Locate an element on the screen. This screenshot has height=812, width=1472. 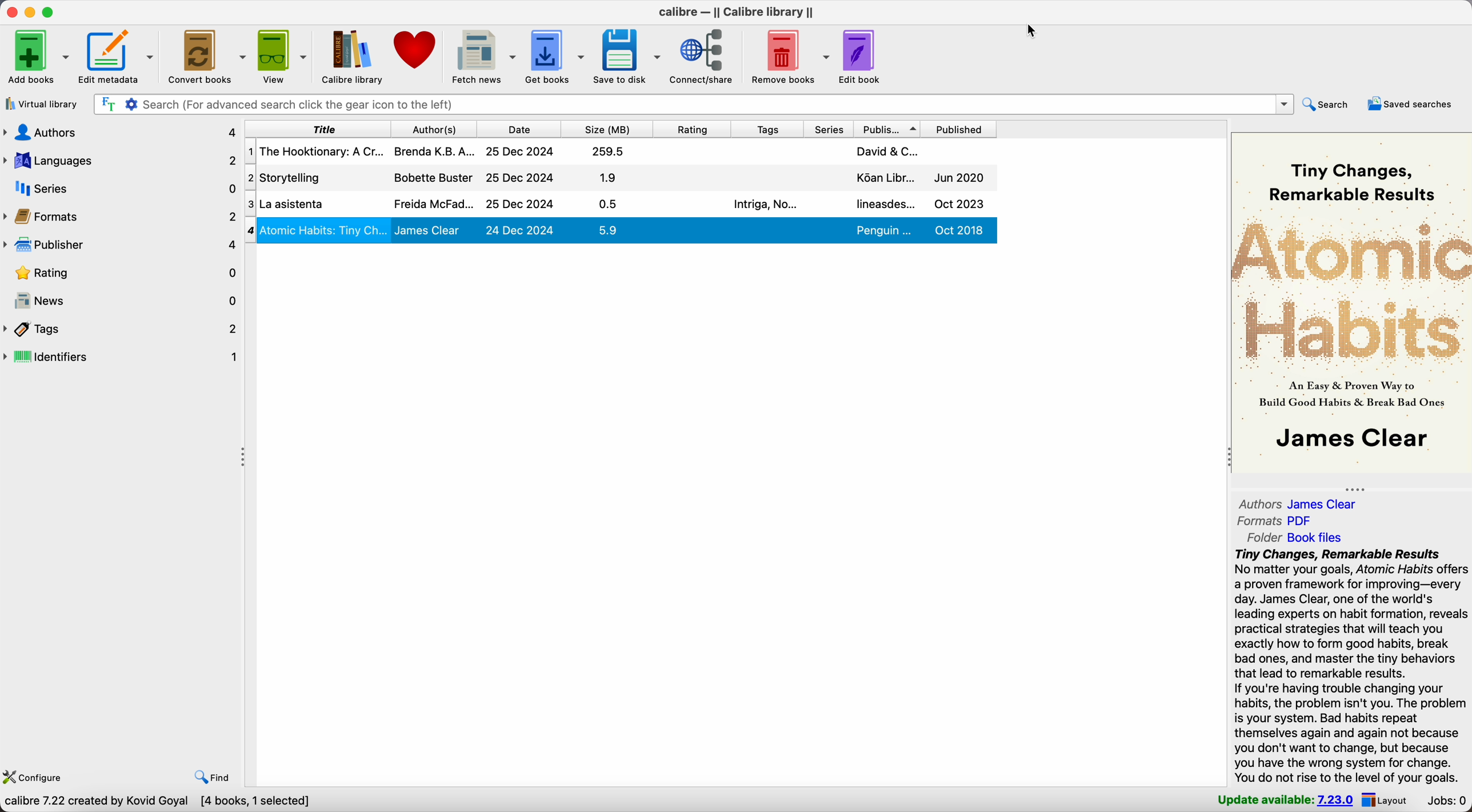
lineasdes... is located at coordinates (885, 204).